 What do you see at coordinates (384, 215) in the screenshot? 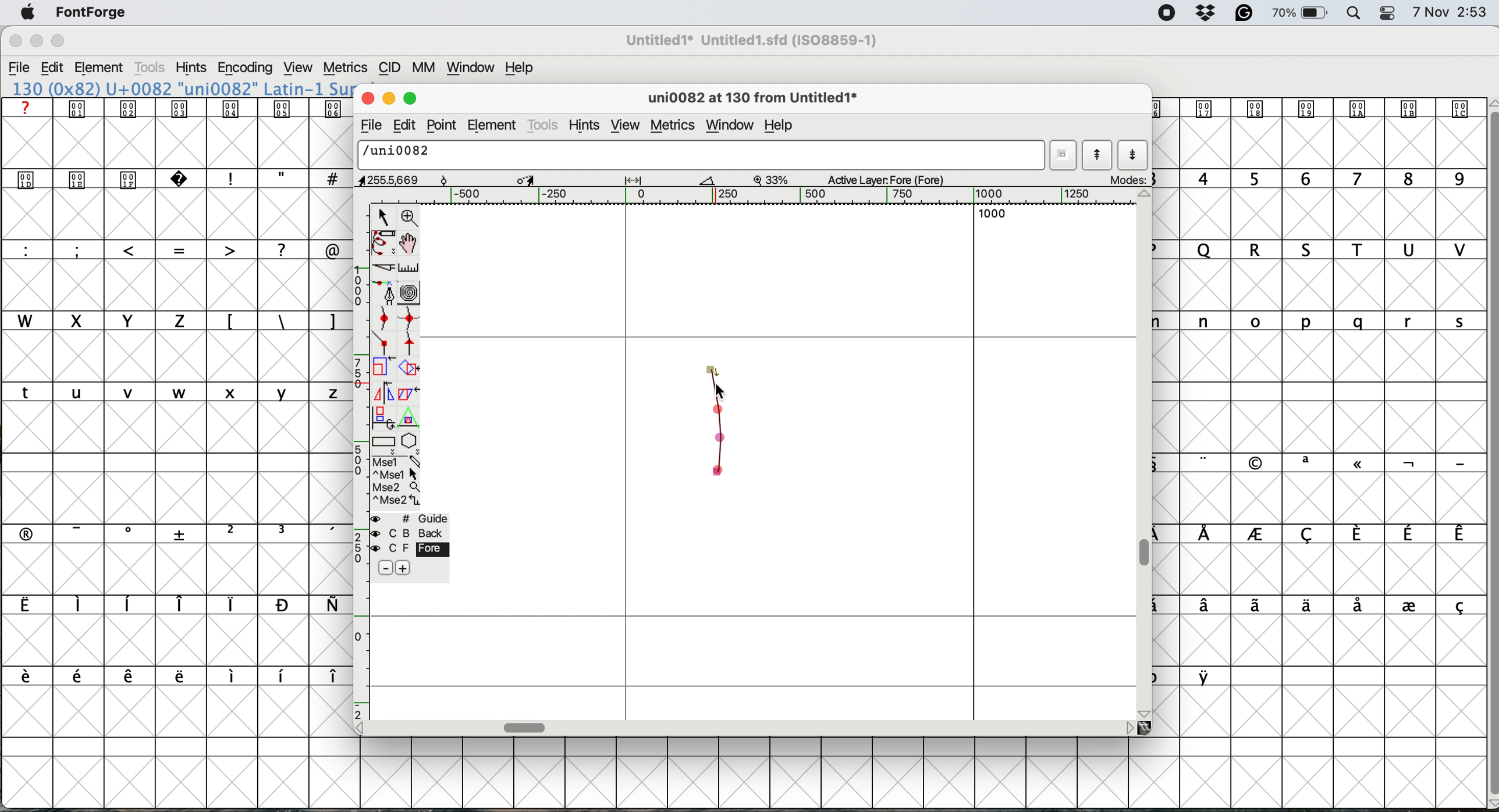
I see `select` at bounding box center [384, 215].